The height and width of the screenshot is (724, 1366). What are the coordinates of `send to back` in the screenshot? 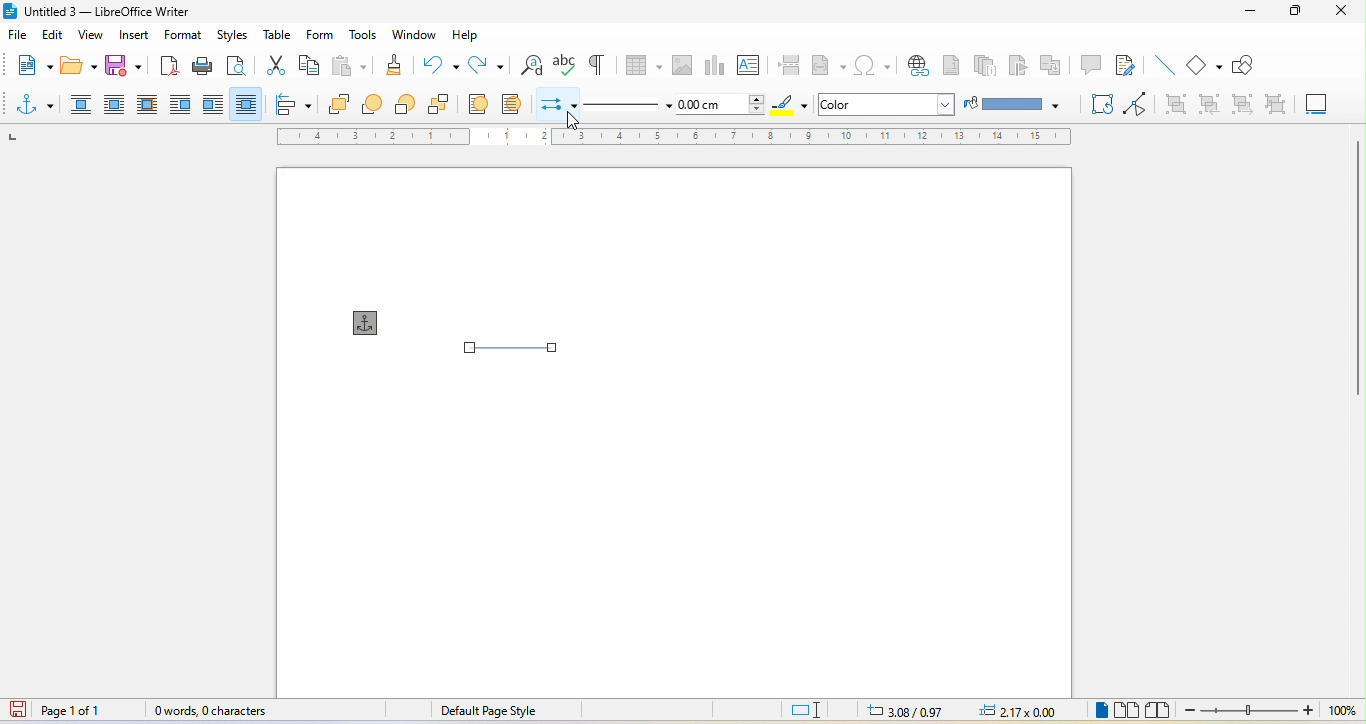 It's located at (443, 107).